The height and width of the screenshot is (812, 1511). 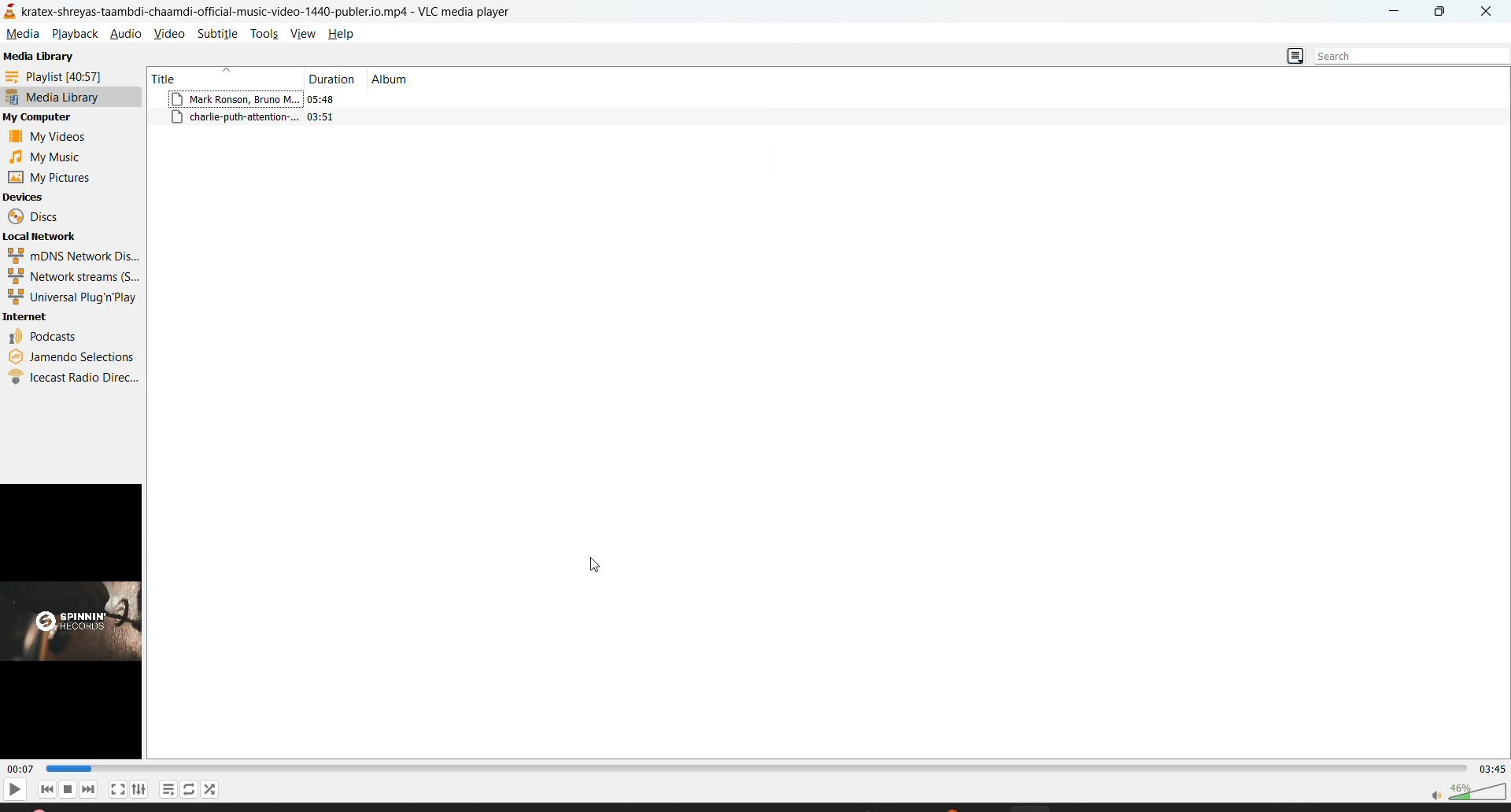 What do you see at coordinates (47, 789) in the screenshot?
I see `previous` at bounding box center [47, 789].